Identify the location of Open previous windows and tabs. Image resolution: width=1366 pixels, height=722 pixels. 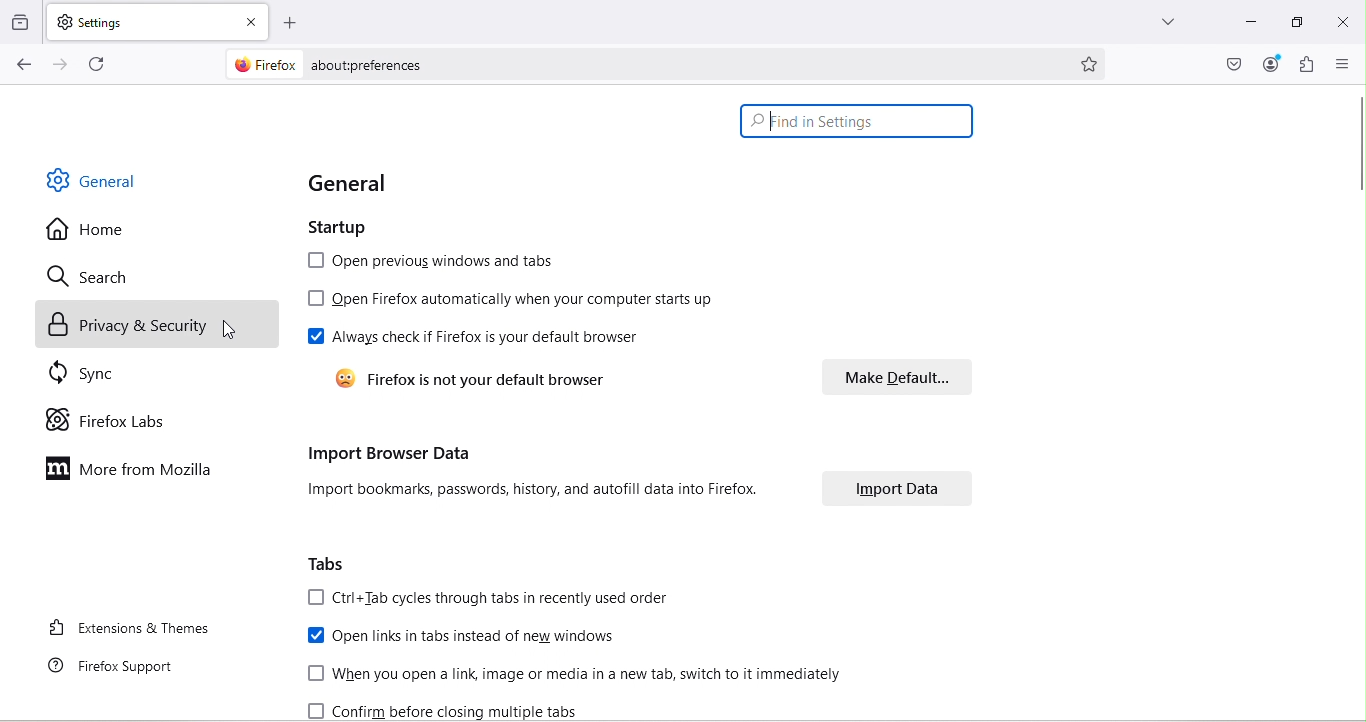
(434, 262).